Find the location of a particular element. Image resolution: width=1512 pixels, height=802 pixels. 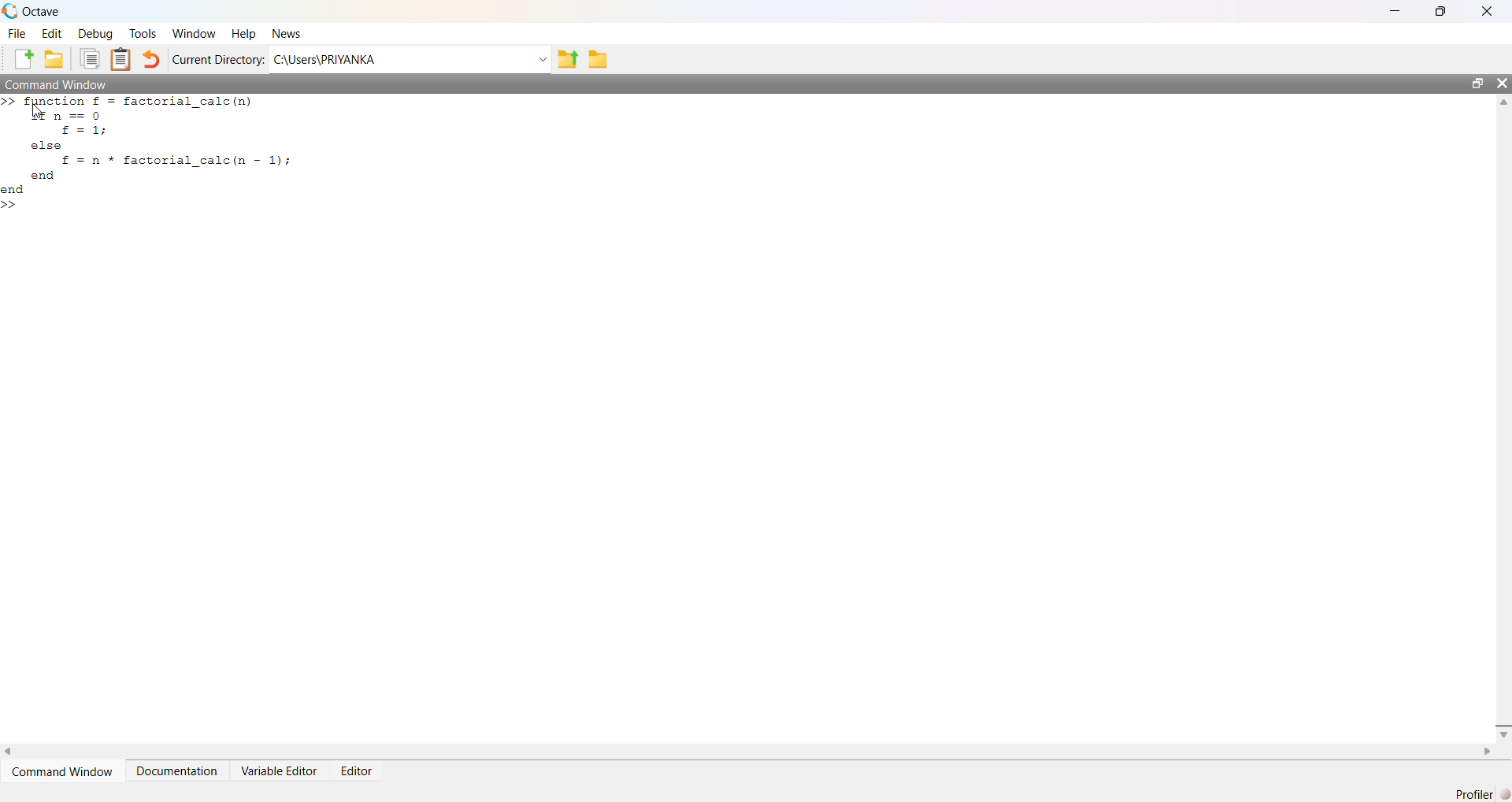

Current Directory: is located at coordinates (220, 61).